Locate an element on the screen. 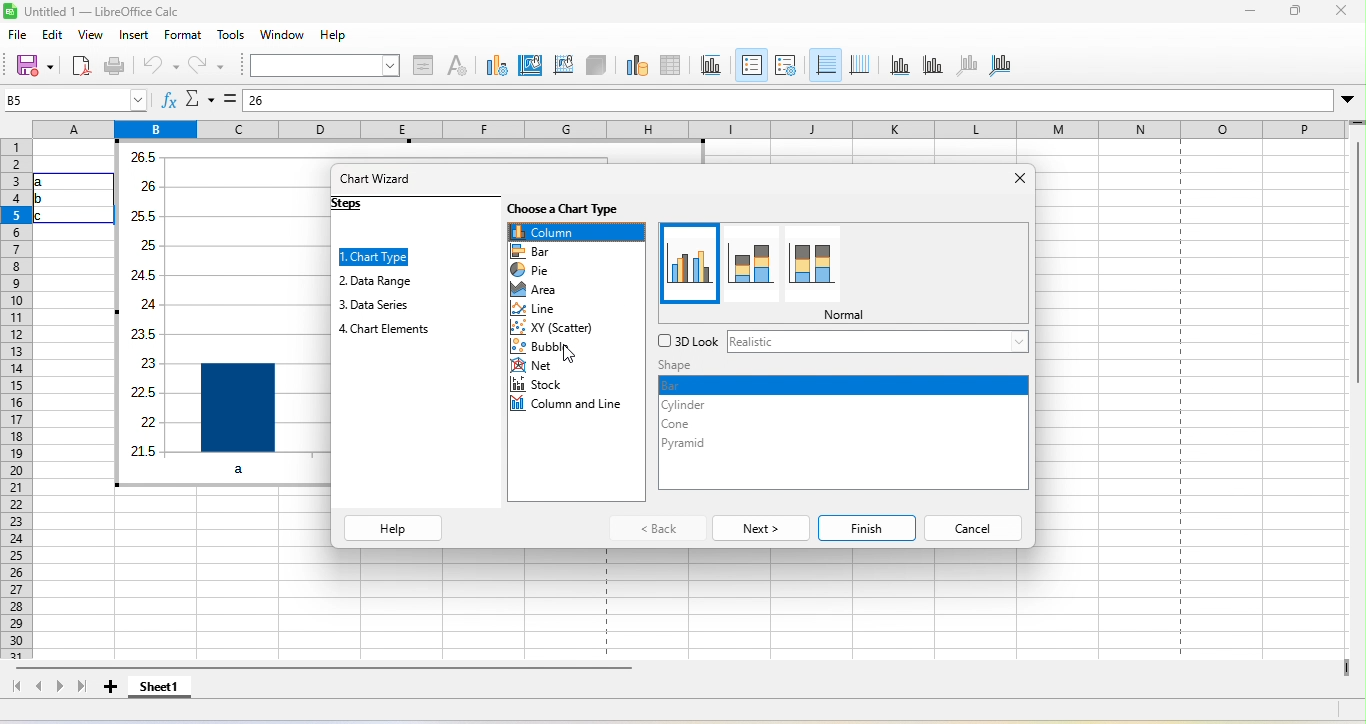  back is located at coordinates (657, 528).